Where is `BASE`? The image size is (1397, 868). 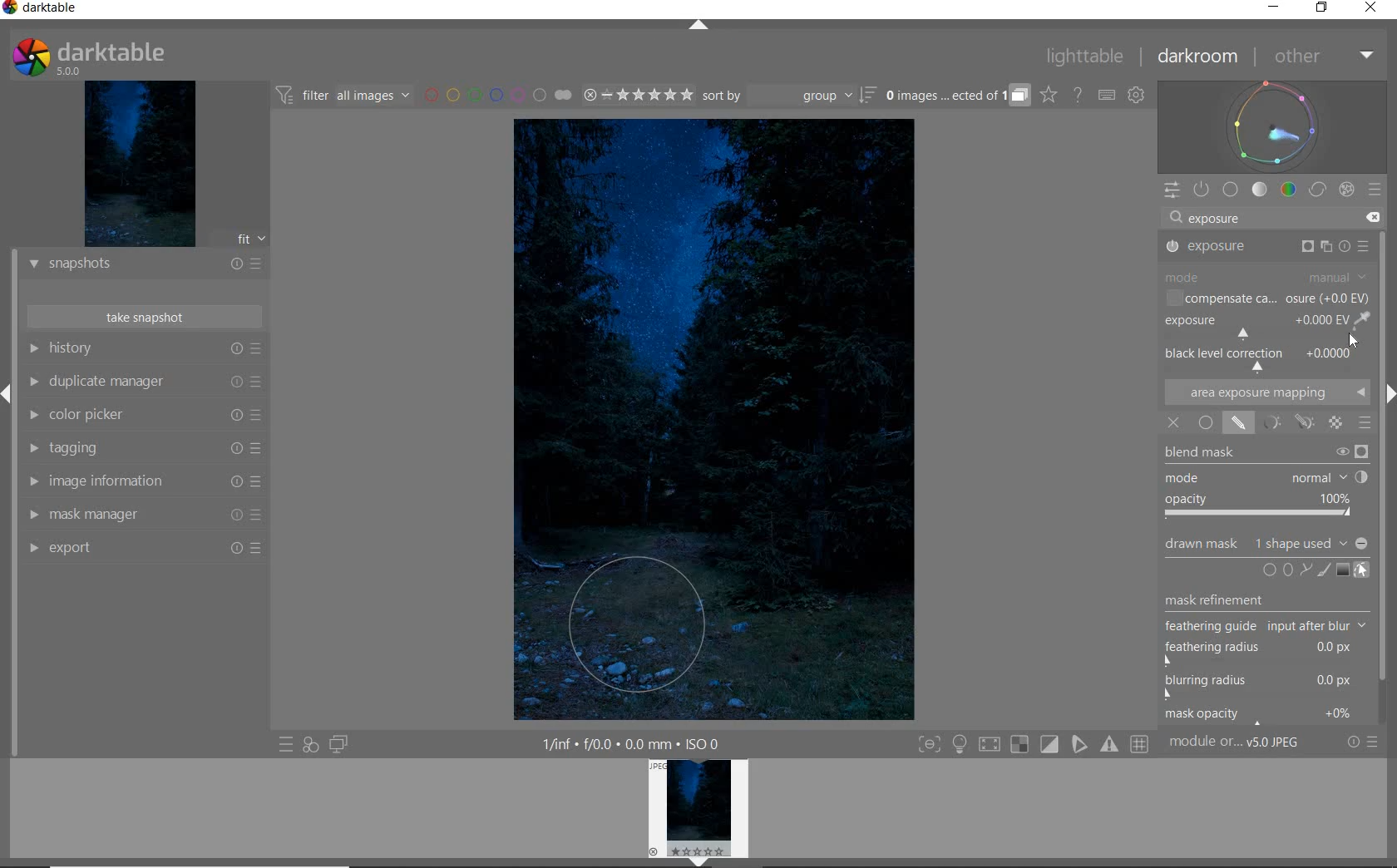 BASE is located at coordinates (1231, 189).